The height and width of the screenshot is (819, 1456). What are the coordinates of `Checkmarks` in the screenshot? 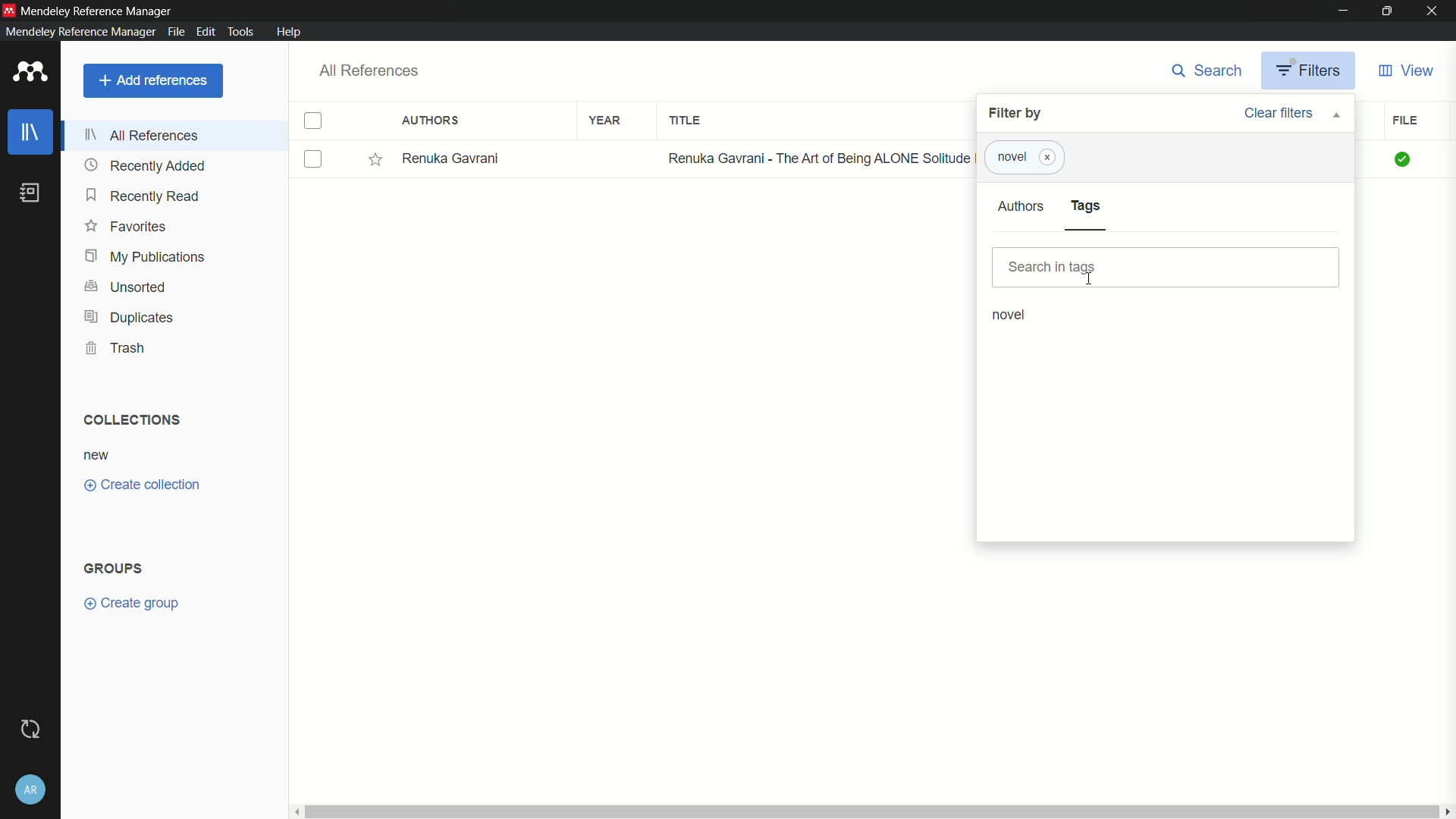 It's located at (1404, 159).